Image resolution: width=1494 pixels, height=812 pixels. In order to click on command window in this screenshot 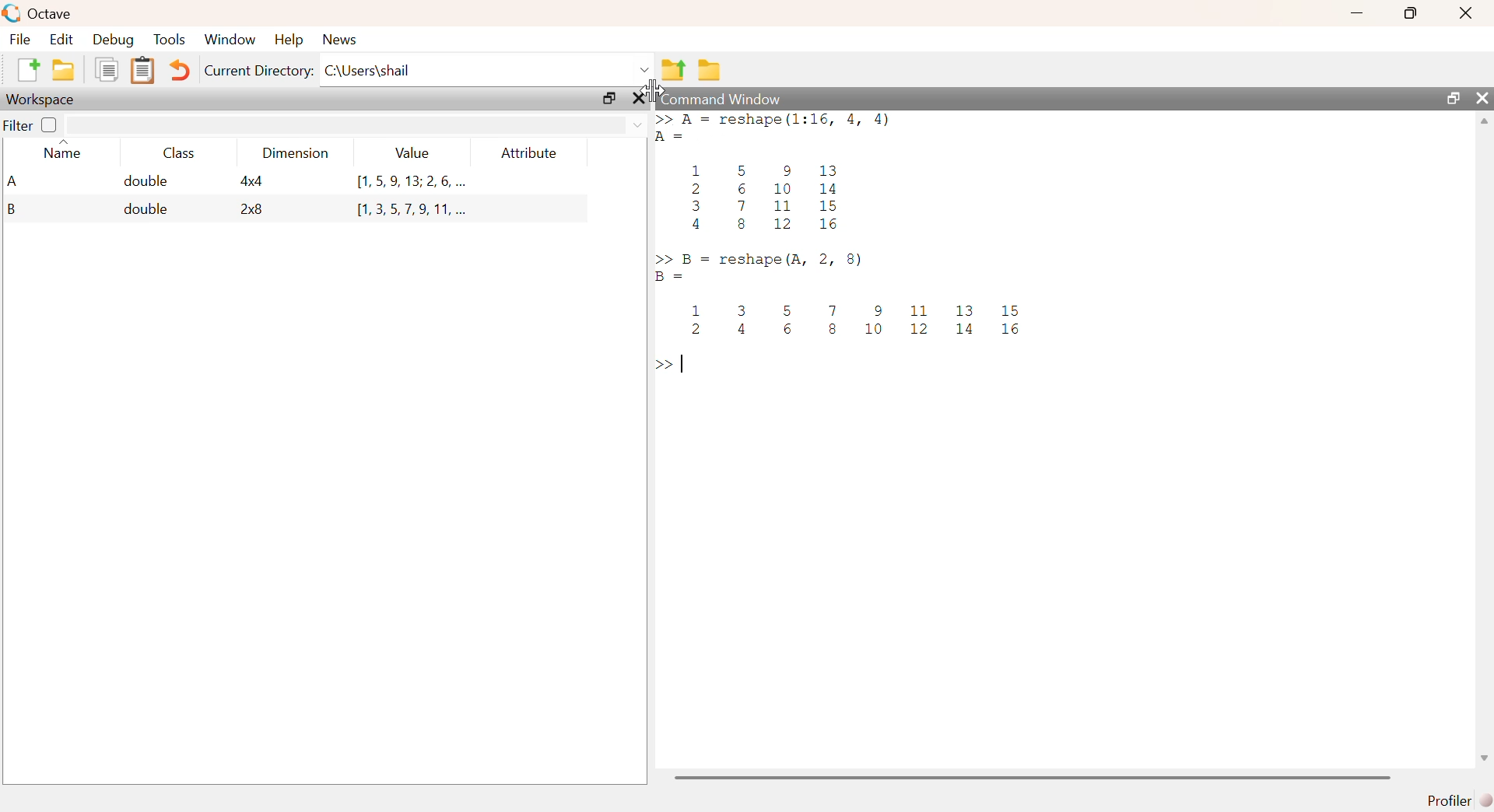, I will do `click(721, 96)`.